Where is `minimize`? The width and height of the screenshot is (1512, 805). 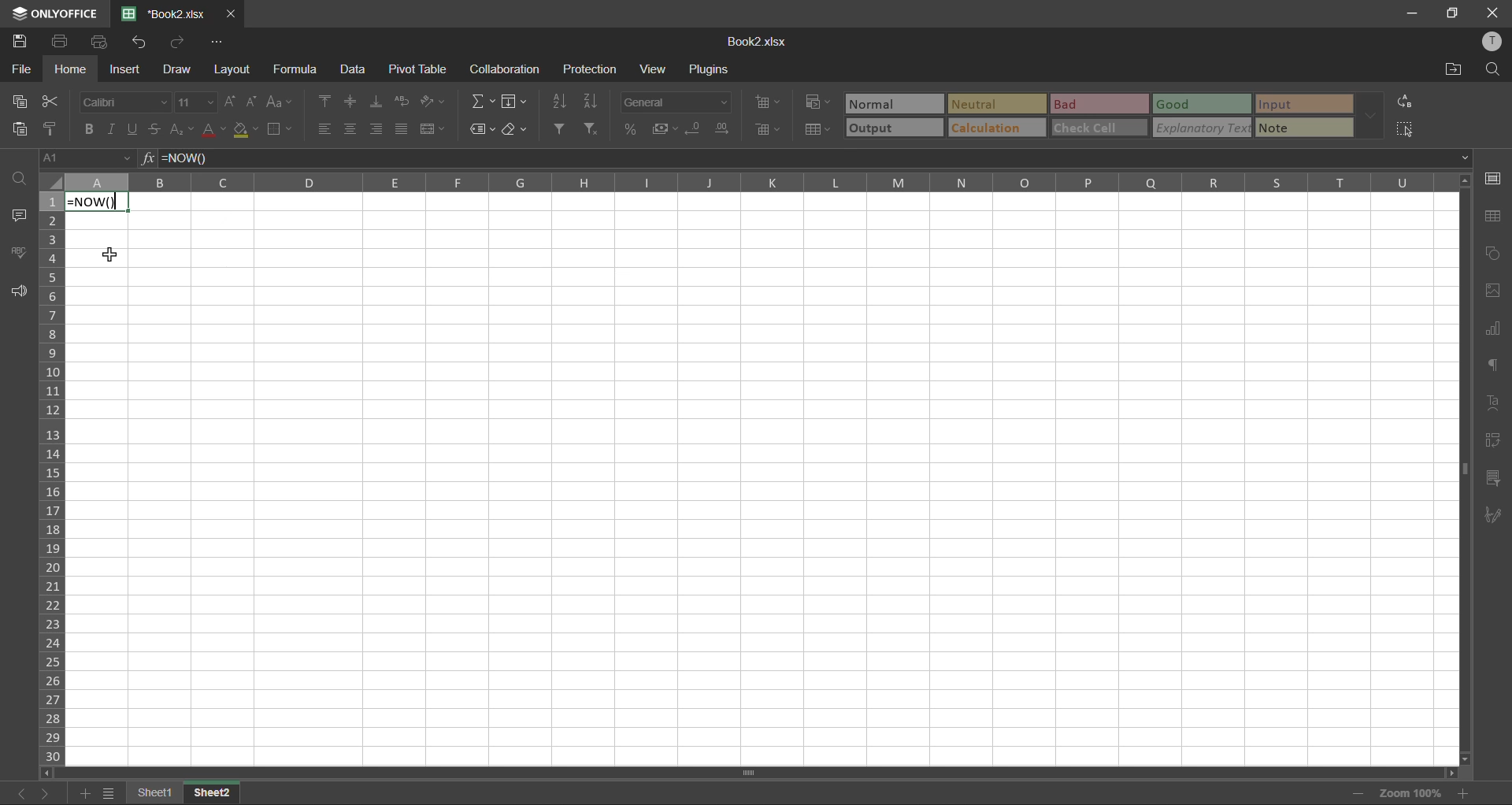
minimize is located at coordinates (1414, 12).